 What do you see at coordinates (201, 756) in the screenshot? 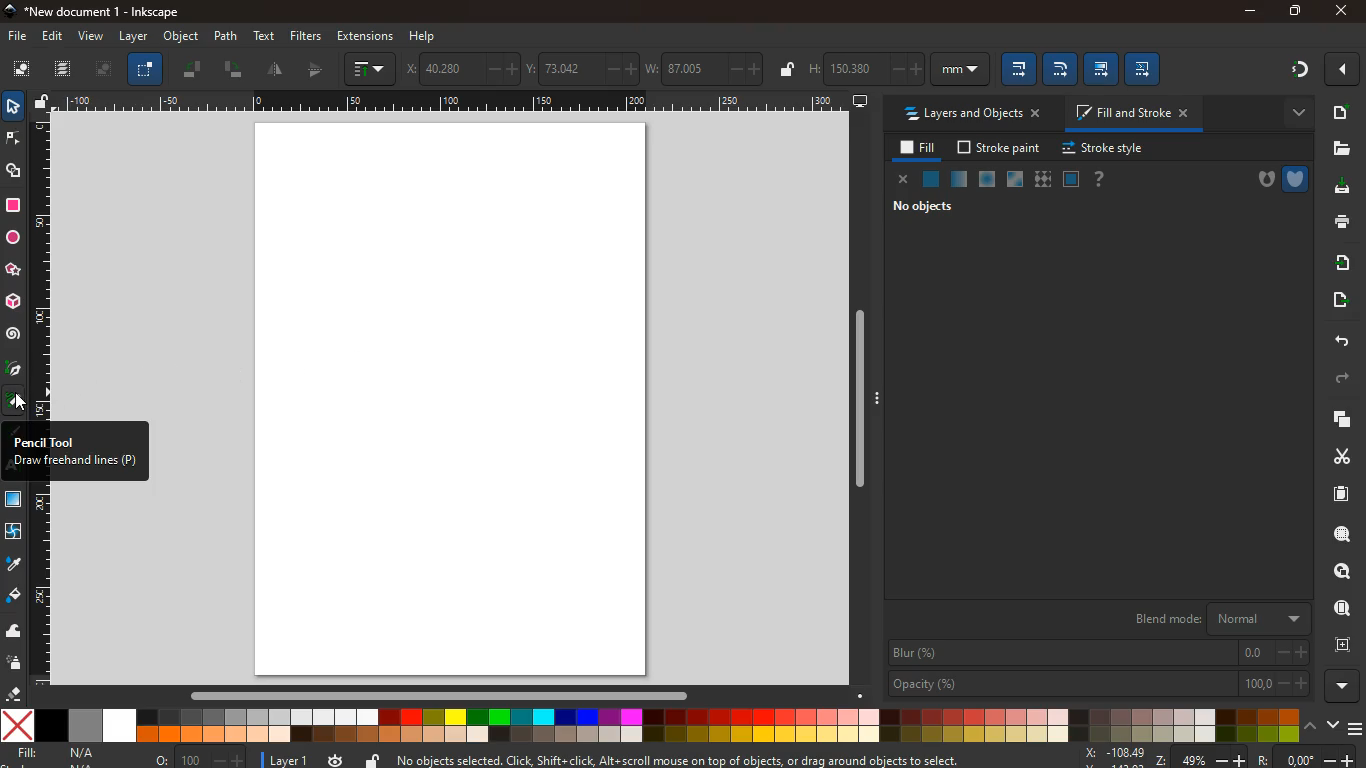
I see `zoom` at bounding box center [201, 756].